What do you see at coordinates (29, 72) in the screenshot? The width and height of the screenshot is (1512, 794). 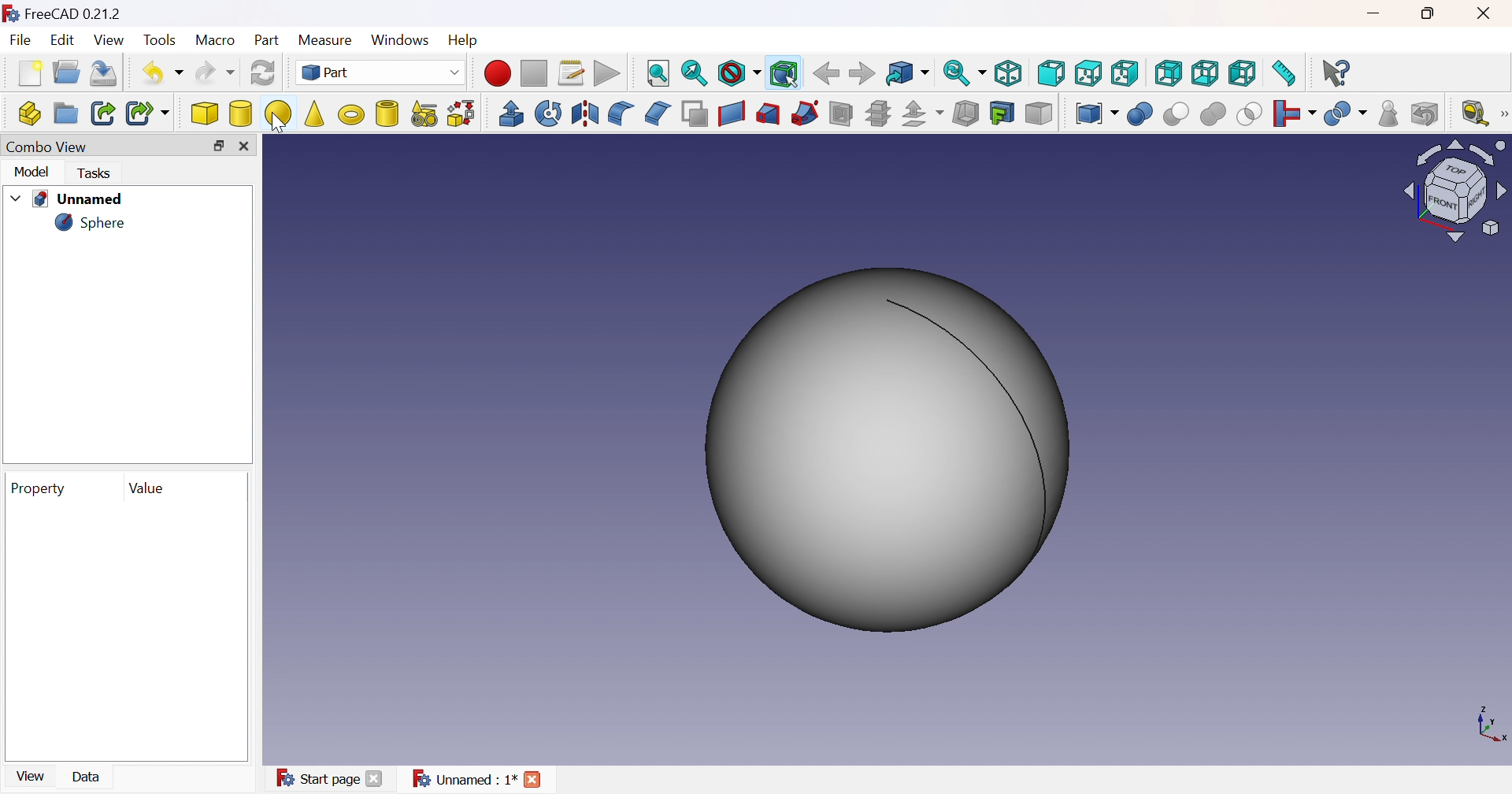 I see `New` at bounding box center [29, 72].